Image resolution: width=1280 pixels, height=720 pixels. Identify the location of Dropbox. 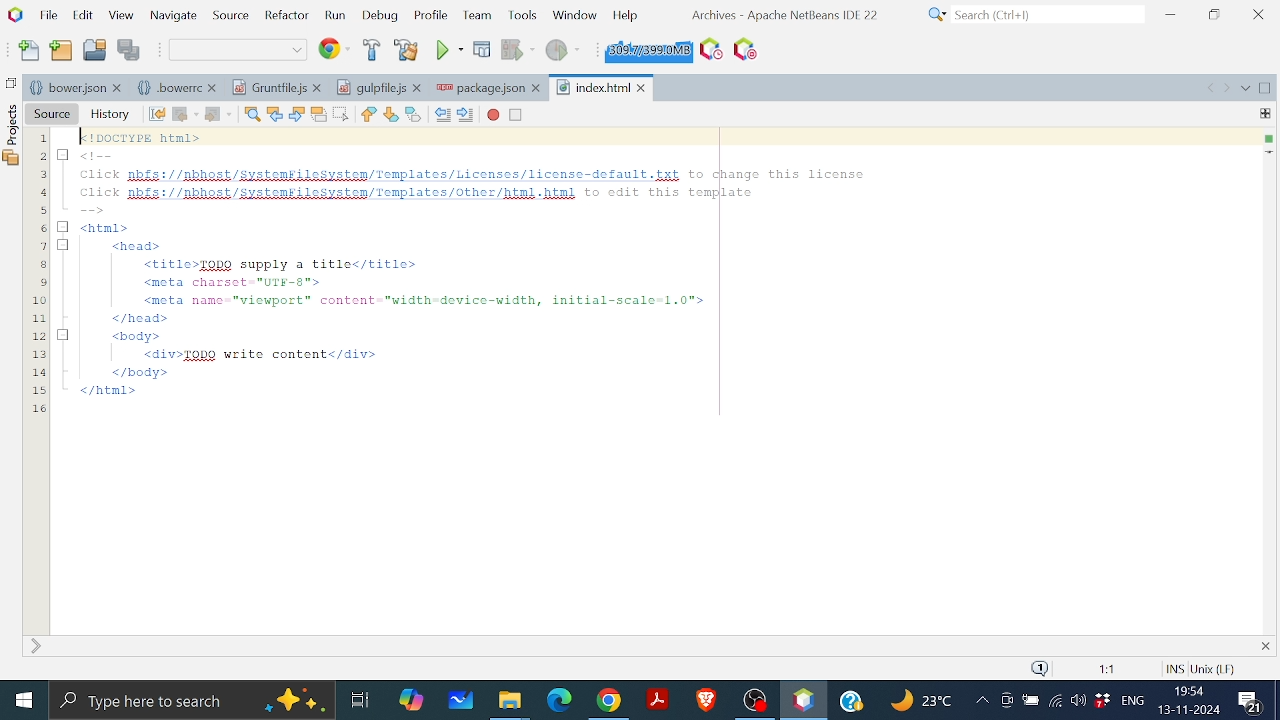
(1102, 701).